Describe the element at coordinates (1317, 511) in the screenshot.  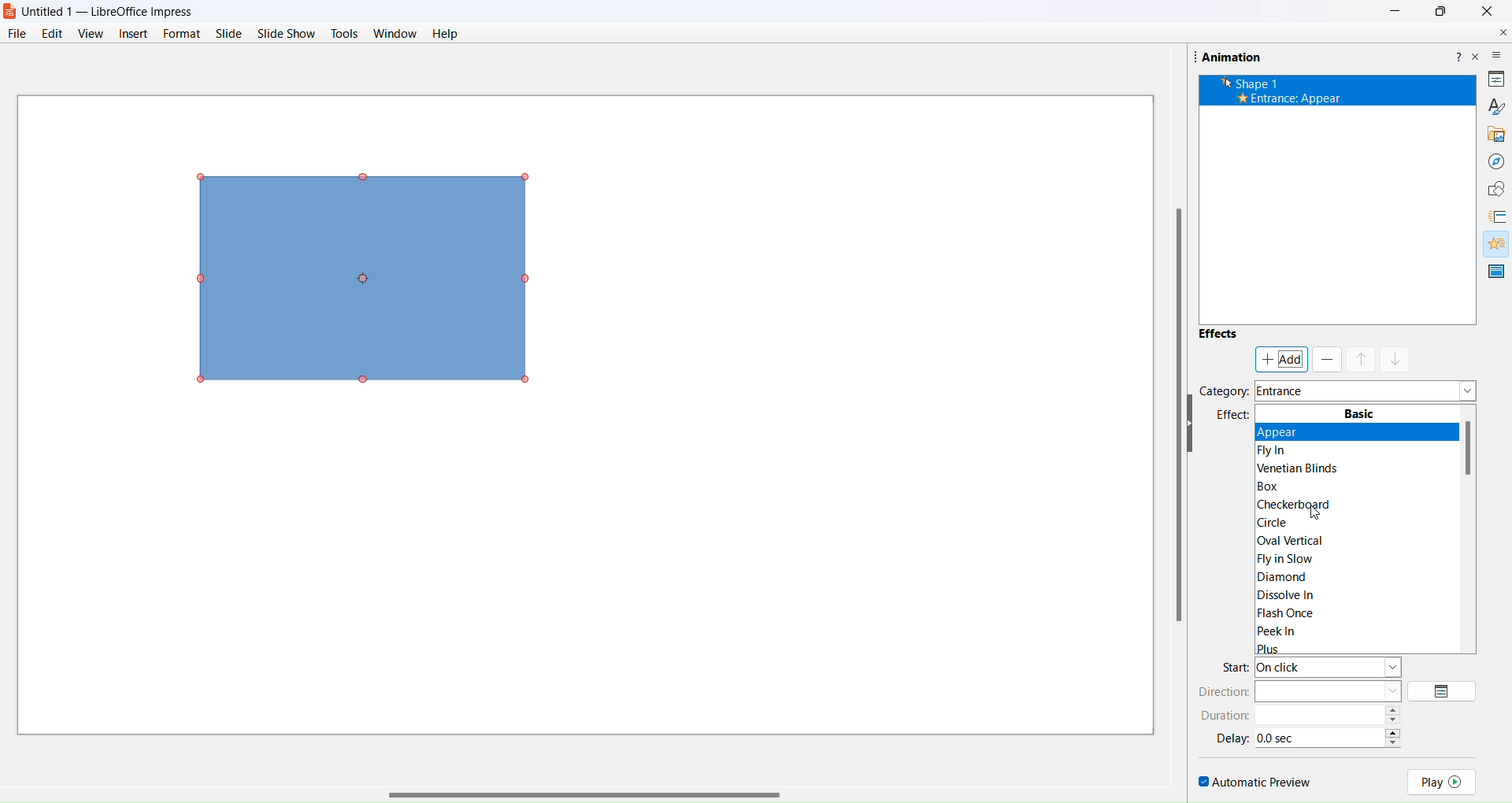
I see `cursor` at that location.